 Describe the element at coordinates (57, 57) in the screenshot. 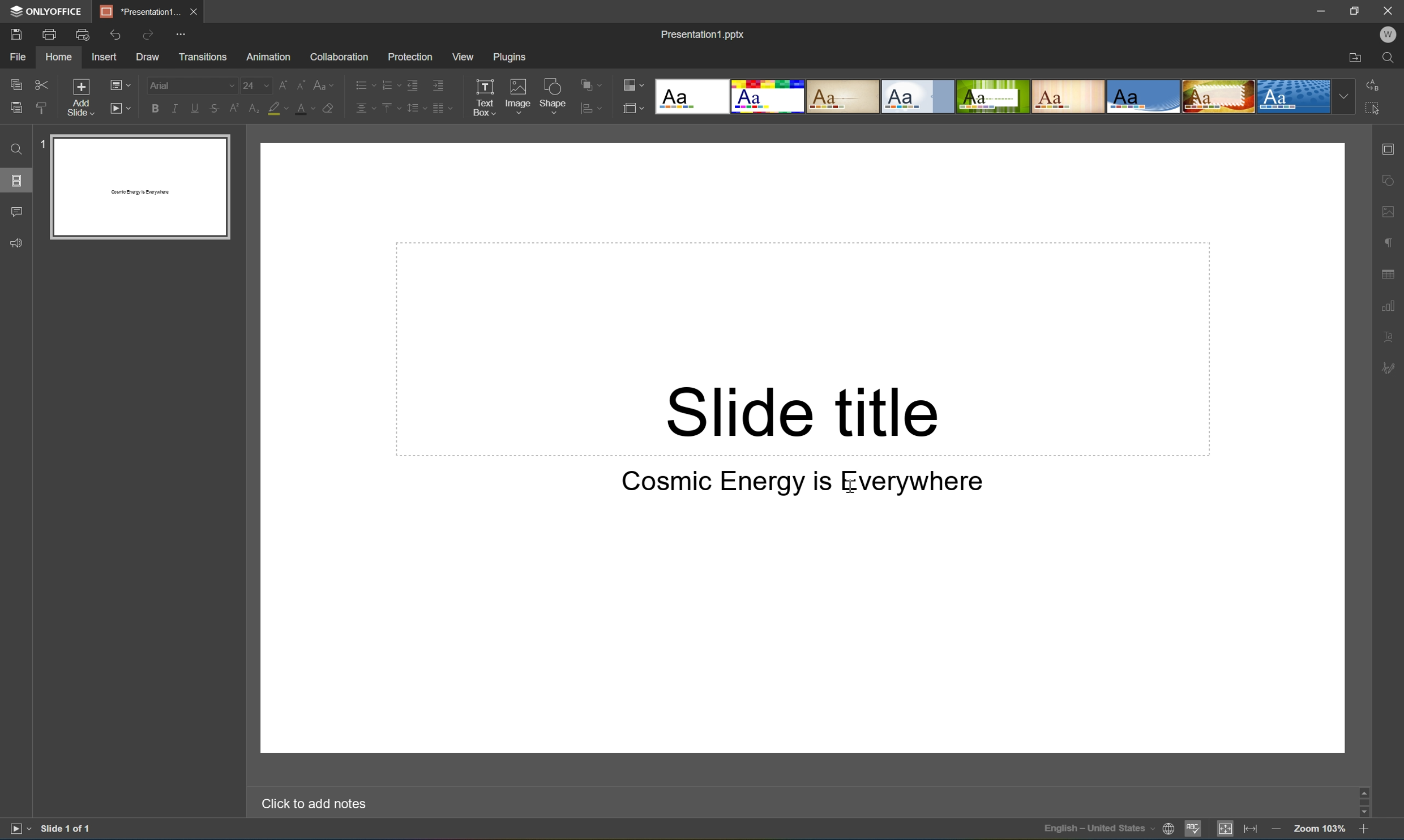

I see `Home` at that location.